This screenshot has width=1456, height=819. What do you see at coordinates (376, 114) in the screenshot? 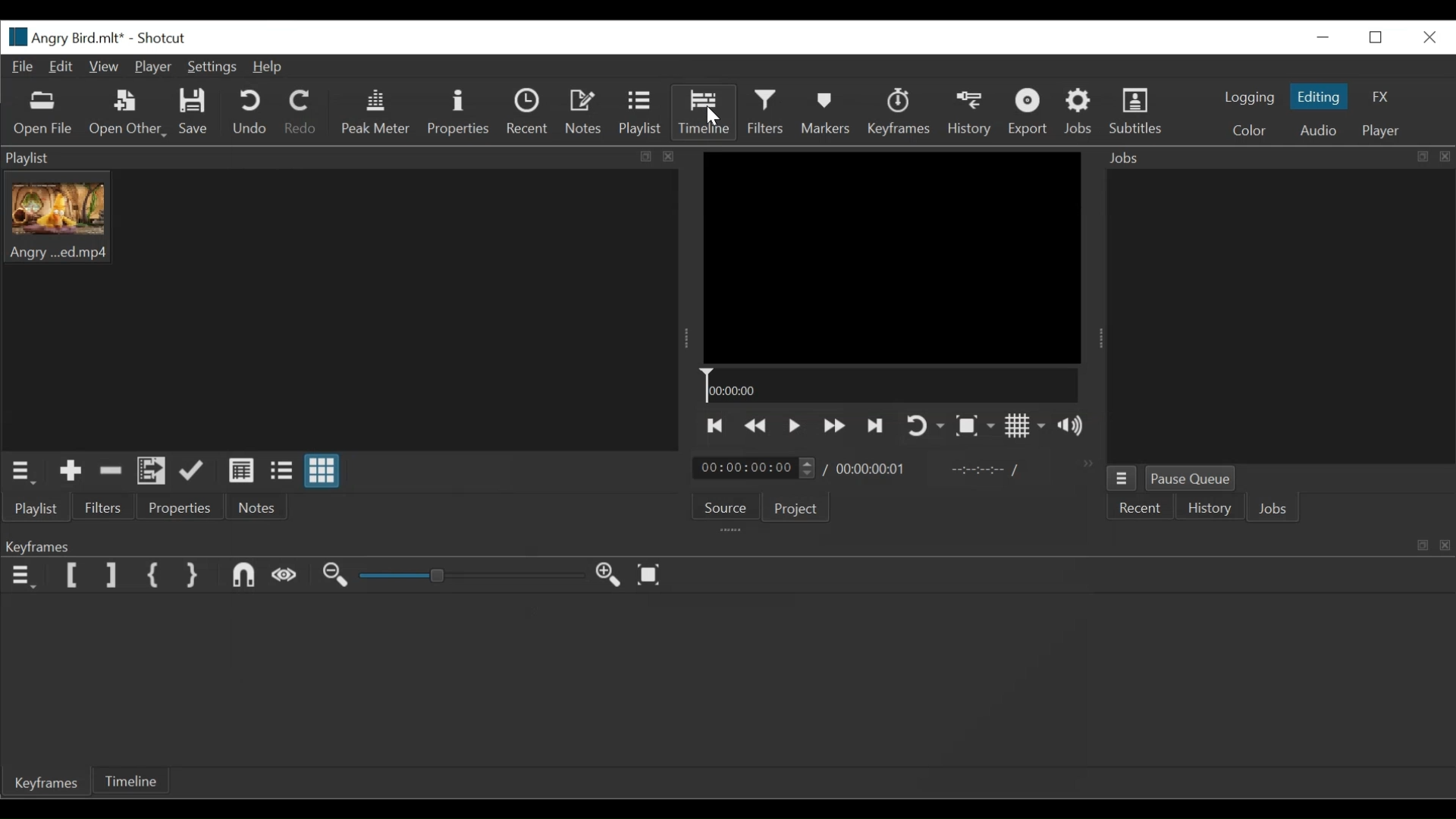
I see `Peak Meter` at bounding box center [376, 114].